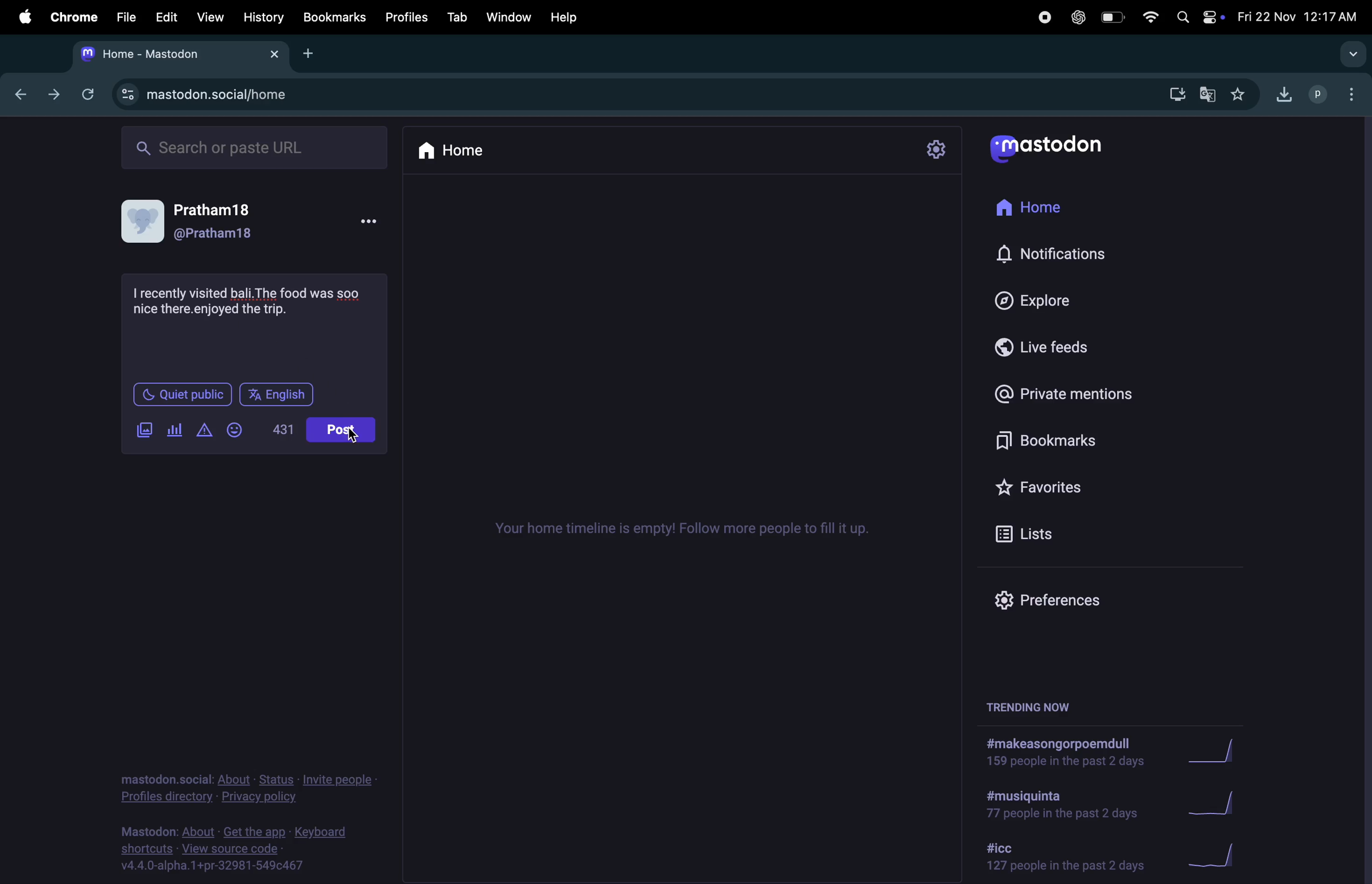 The image size is (1372, 884). What do you see at coordinates (1184, 18) in the screenshot?
I see `spotlight search` at bounding box center [1184, 18].